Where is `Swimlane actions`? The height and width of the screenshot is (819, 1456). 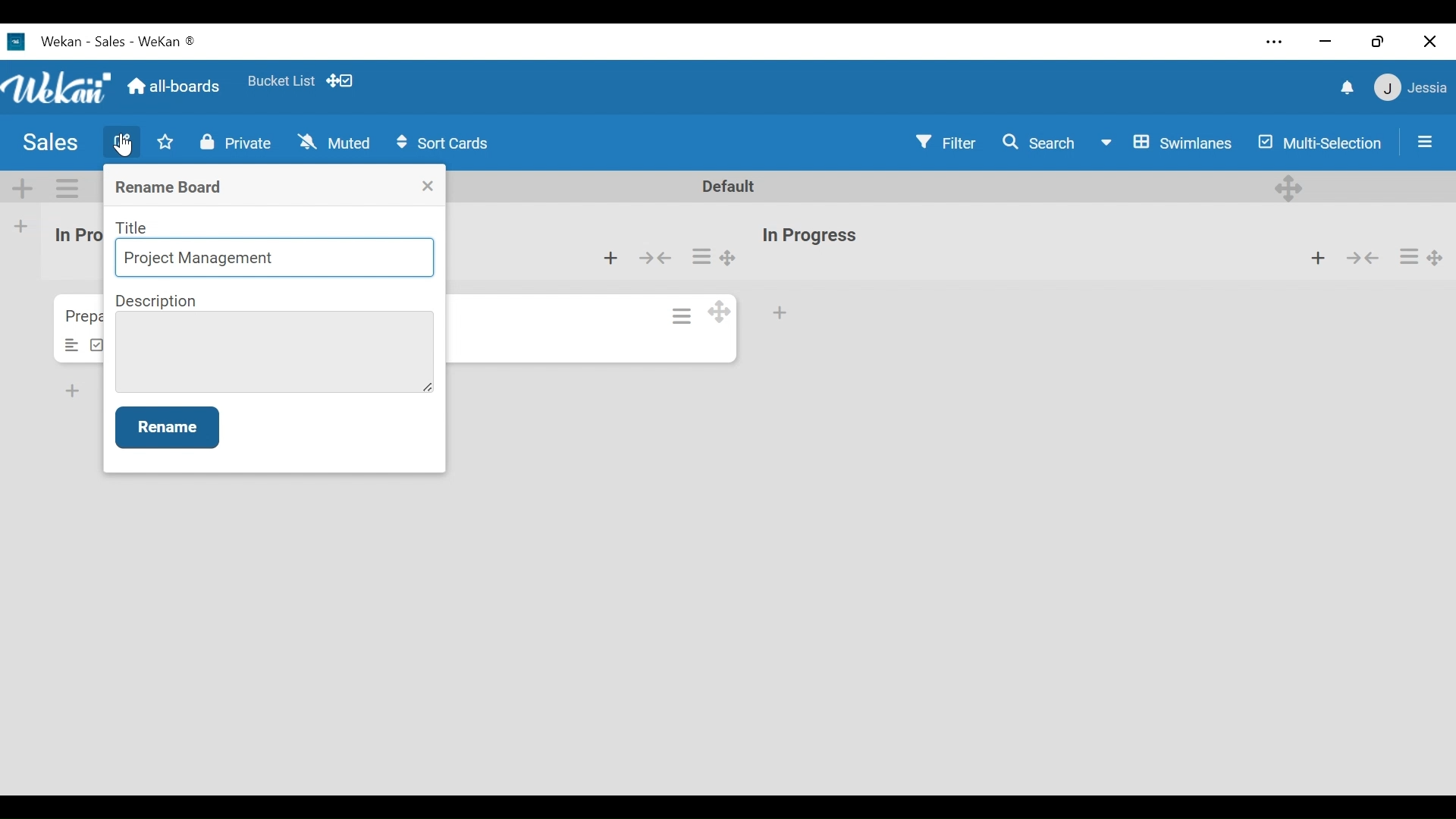
Swimlane actions is located at coordinates (65, 188).